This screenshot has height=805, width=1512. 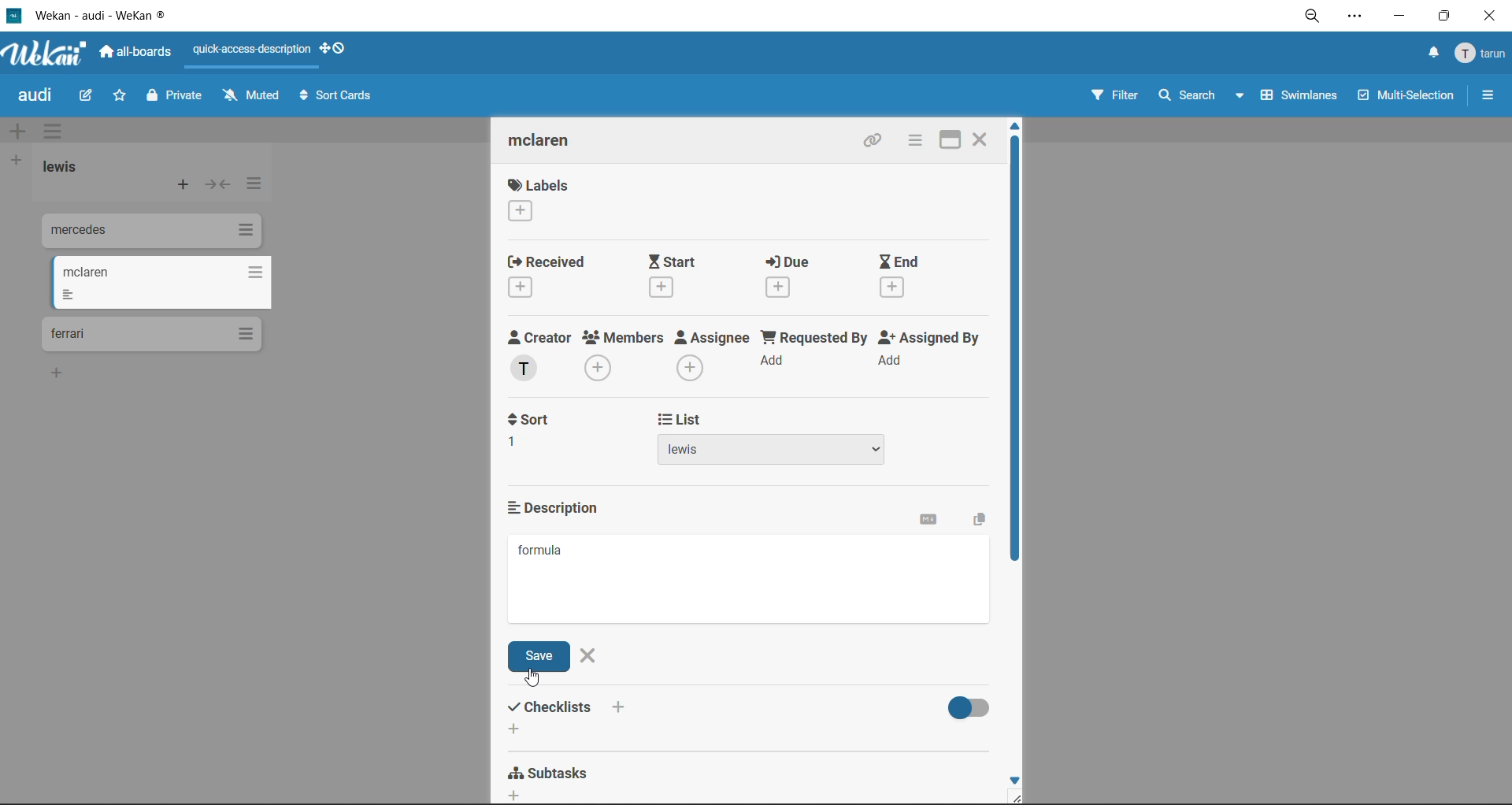 I want to click on all boards, so click(x=136, y=52).